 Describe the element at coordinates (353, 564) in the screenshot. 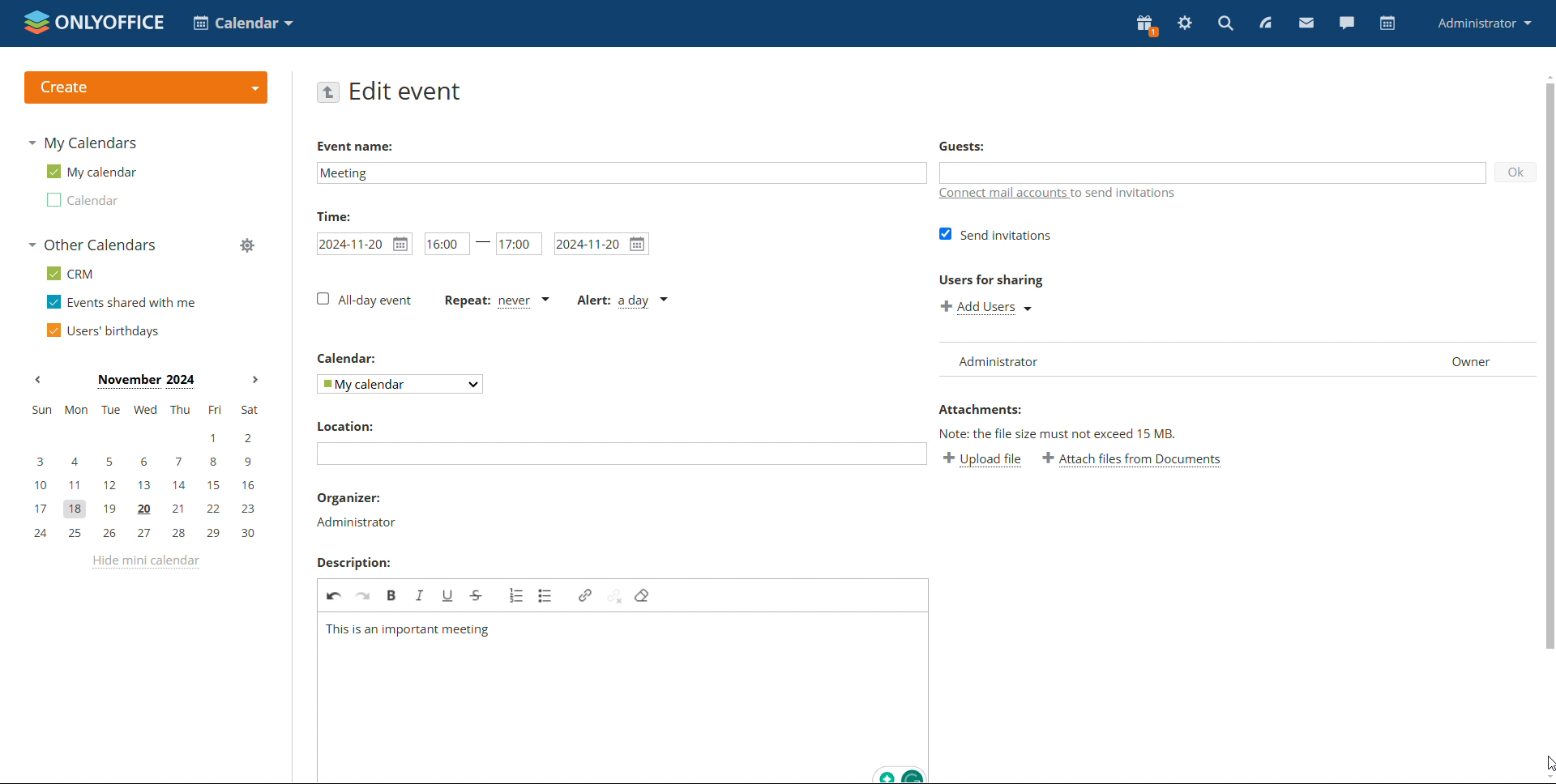

I see `description` at that location.